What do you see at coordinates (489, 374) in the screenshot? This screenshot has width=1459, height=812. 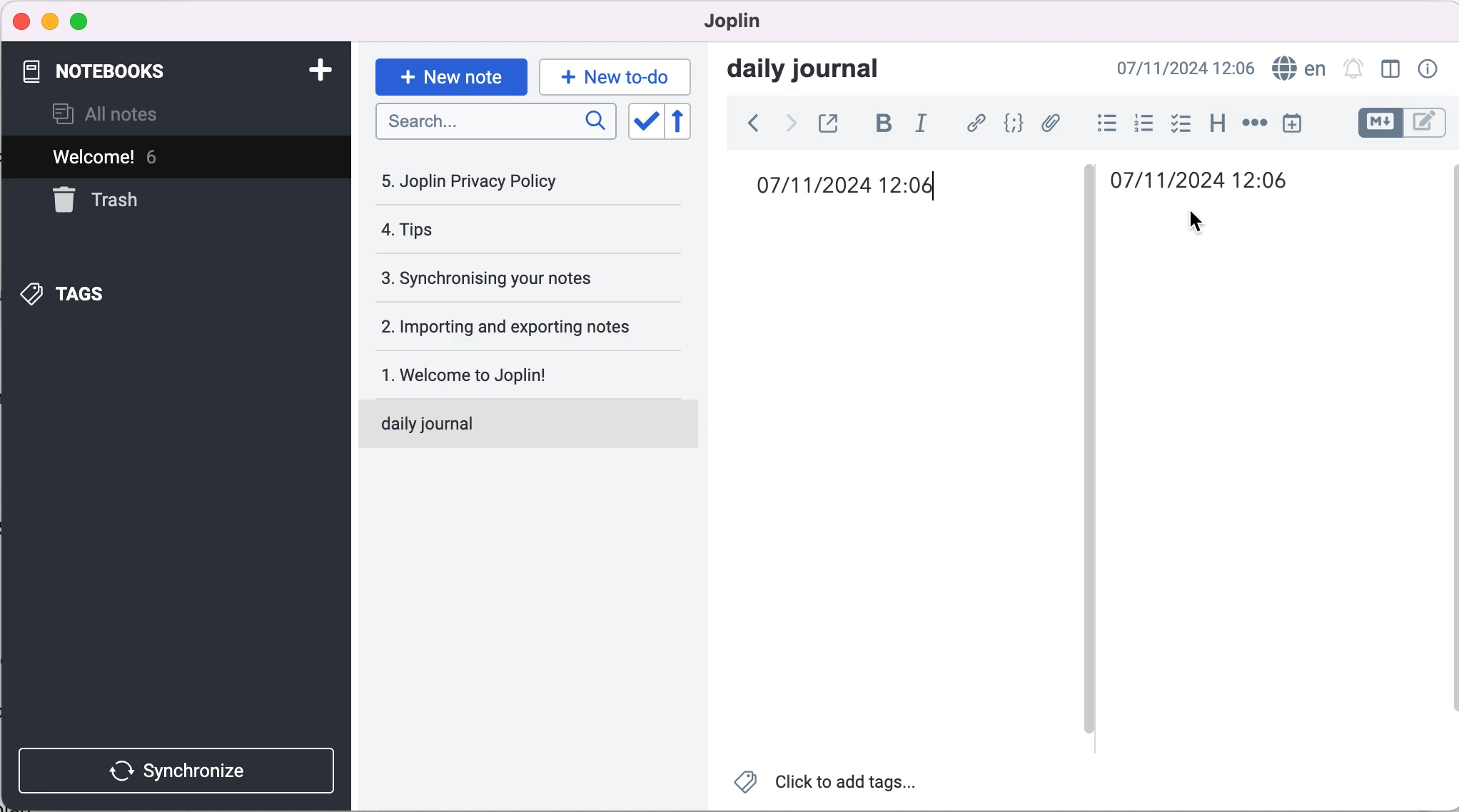 I see `welcome to joplin!` at bounding box center [489, 374].